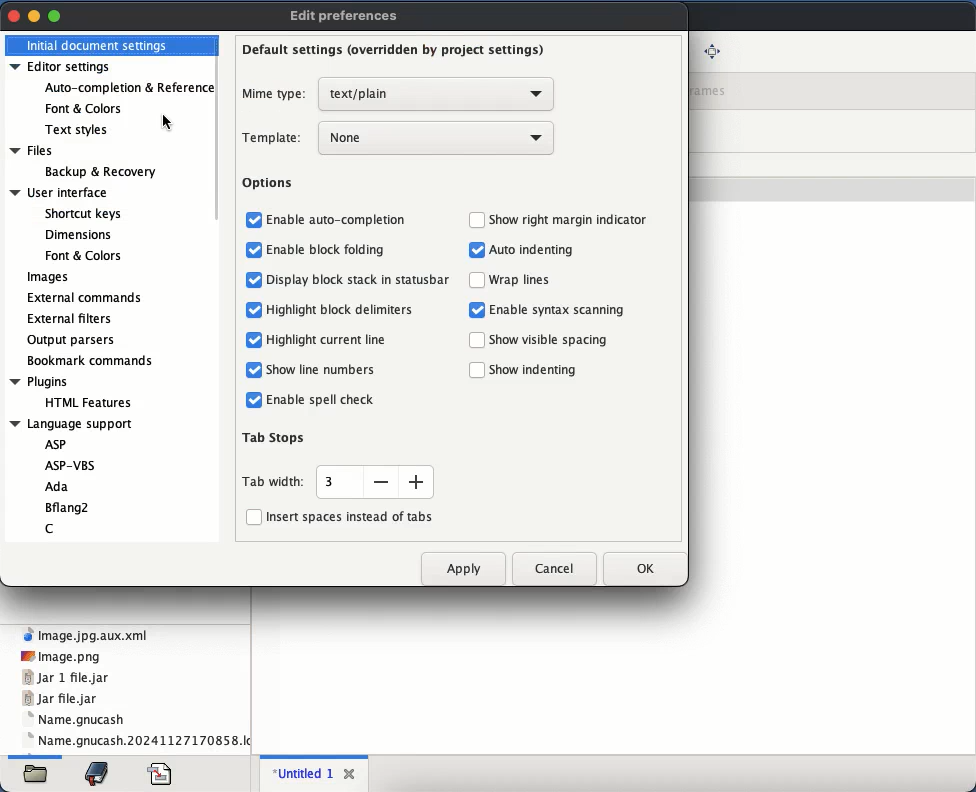 Image resolution: width=976 pixels, height=792 pixels. Describe the element at coordinates (137, 741) in the screenshot. I see `name.gnucash` at that location.